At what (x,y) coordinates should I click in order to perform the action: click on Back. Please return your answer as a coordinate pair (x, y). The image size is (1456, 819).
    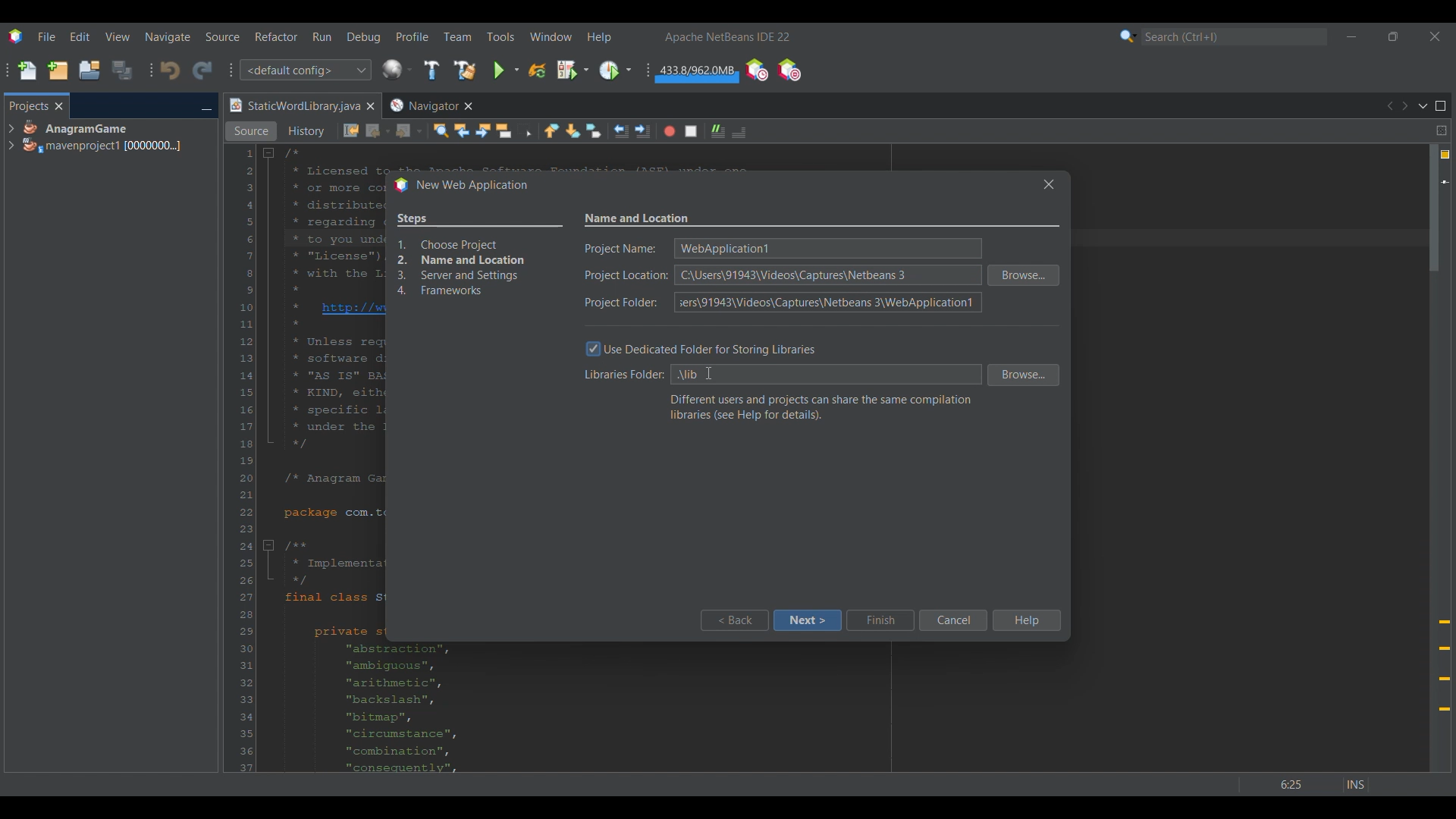
    Looking at the image, I should click on (378, 131).